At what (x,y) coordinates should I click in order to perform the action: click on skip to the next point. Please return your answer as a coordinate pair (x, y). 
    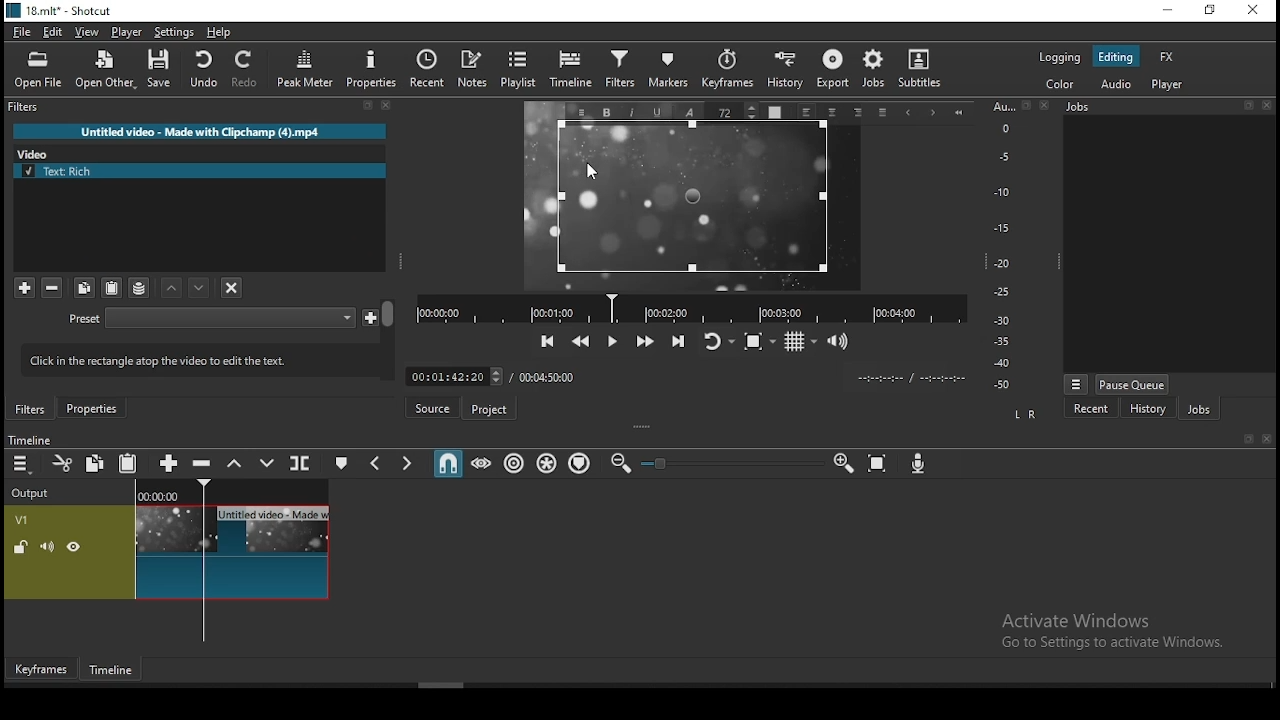
    Looking at the image, I should click on (679, 340).